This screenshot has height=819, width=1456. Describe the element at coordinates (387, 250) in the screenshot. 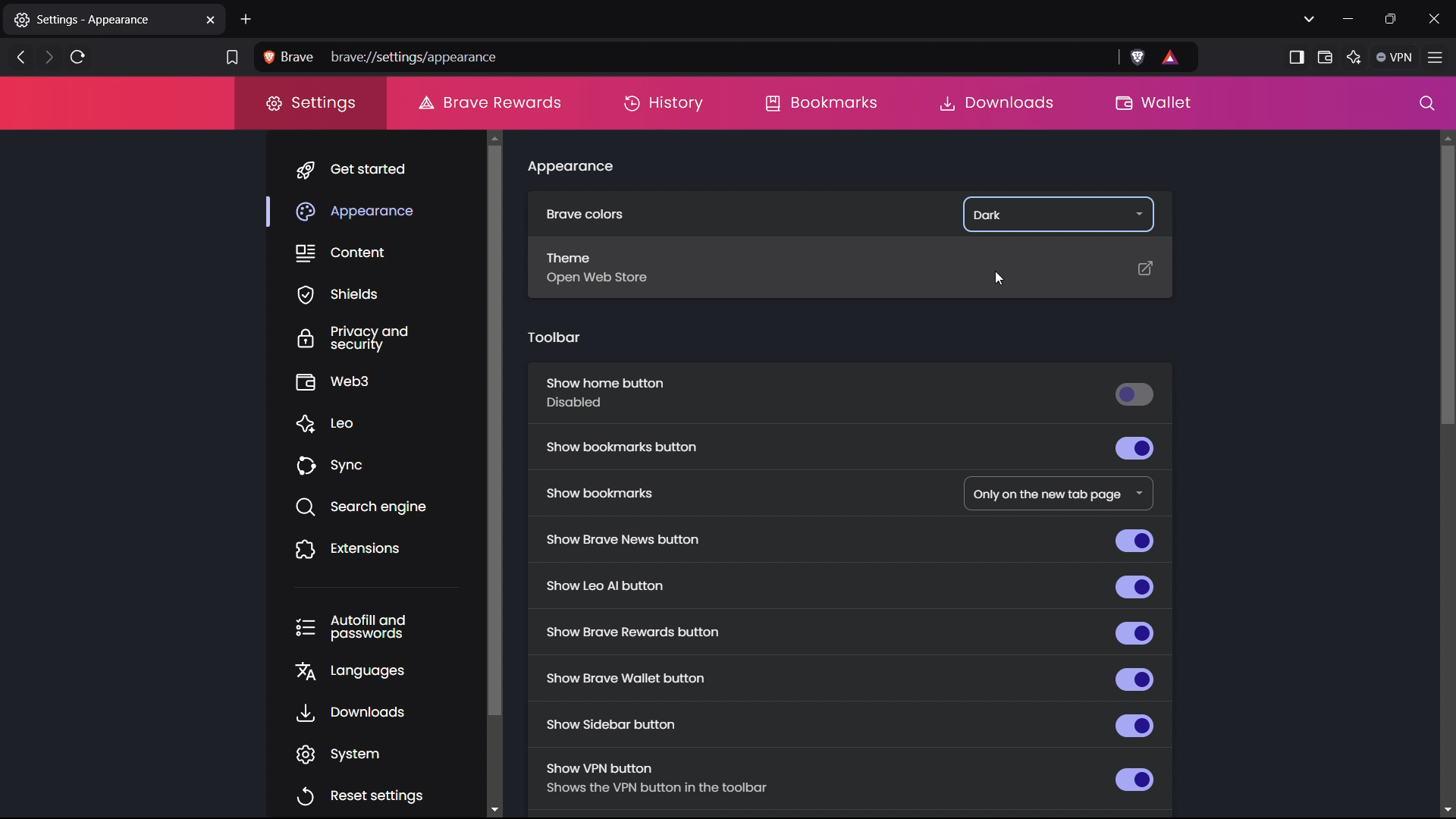

I see `content` at that location.